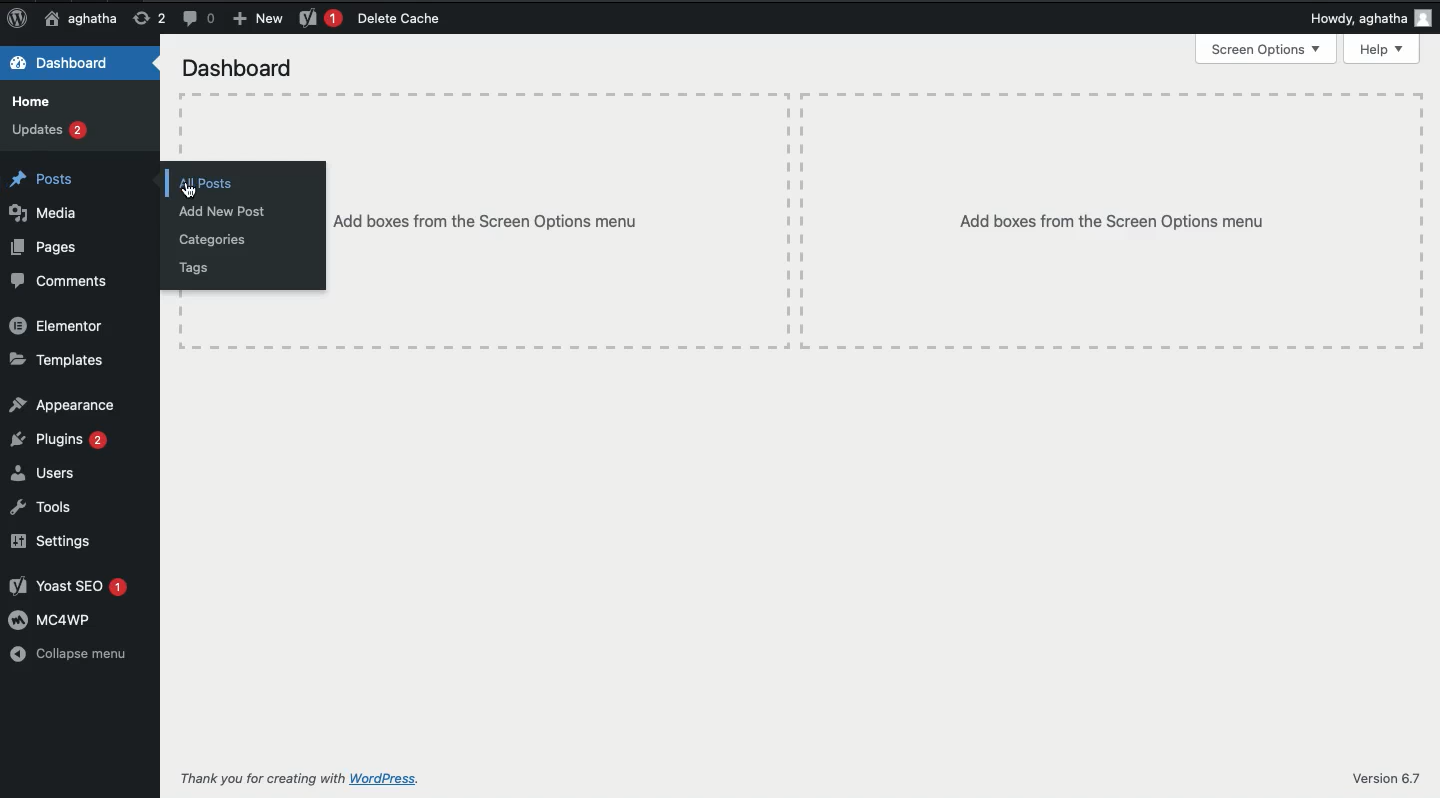  Describe the element at coordinates (395, 778) in the screenshot. I see `WordPress.` at that location.